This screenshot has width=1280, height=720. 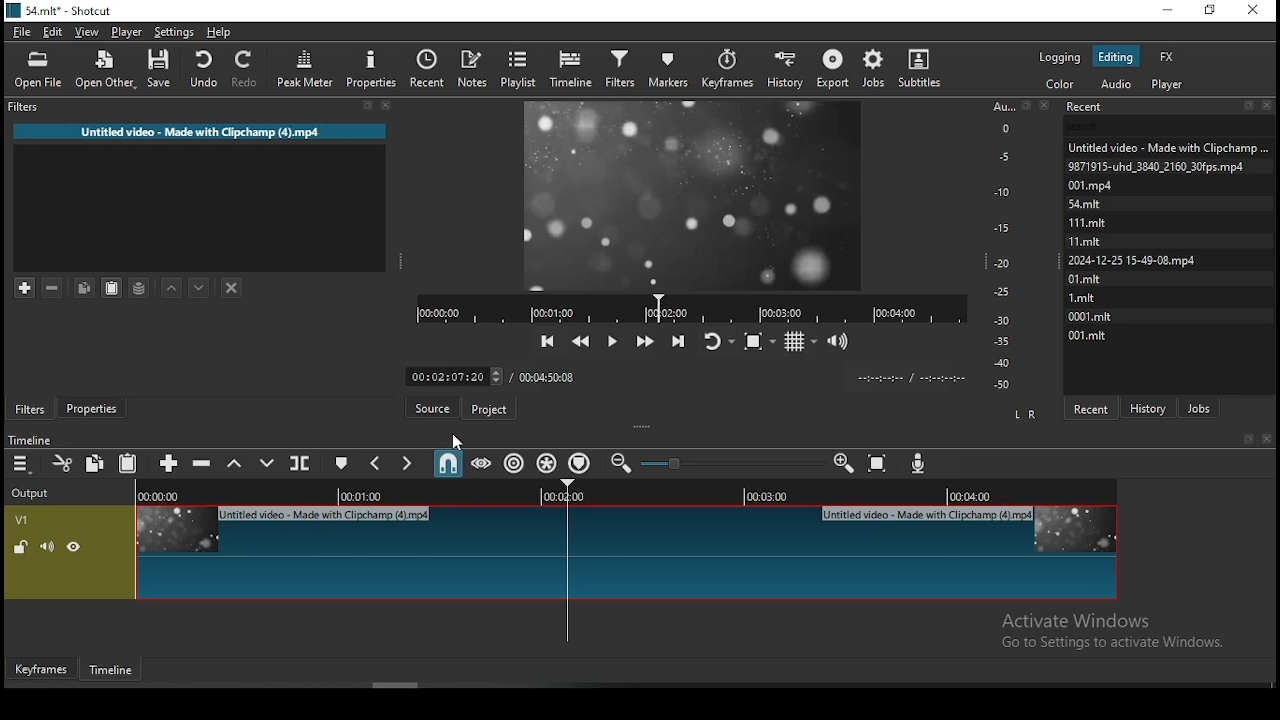 What do you see at coordinates (455, 376) in the screenshot?
I see `timer` at bounding box center [455, 376].